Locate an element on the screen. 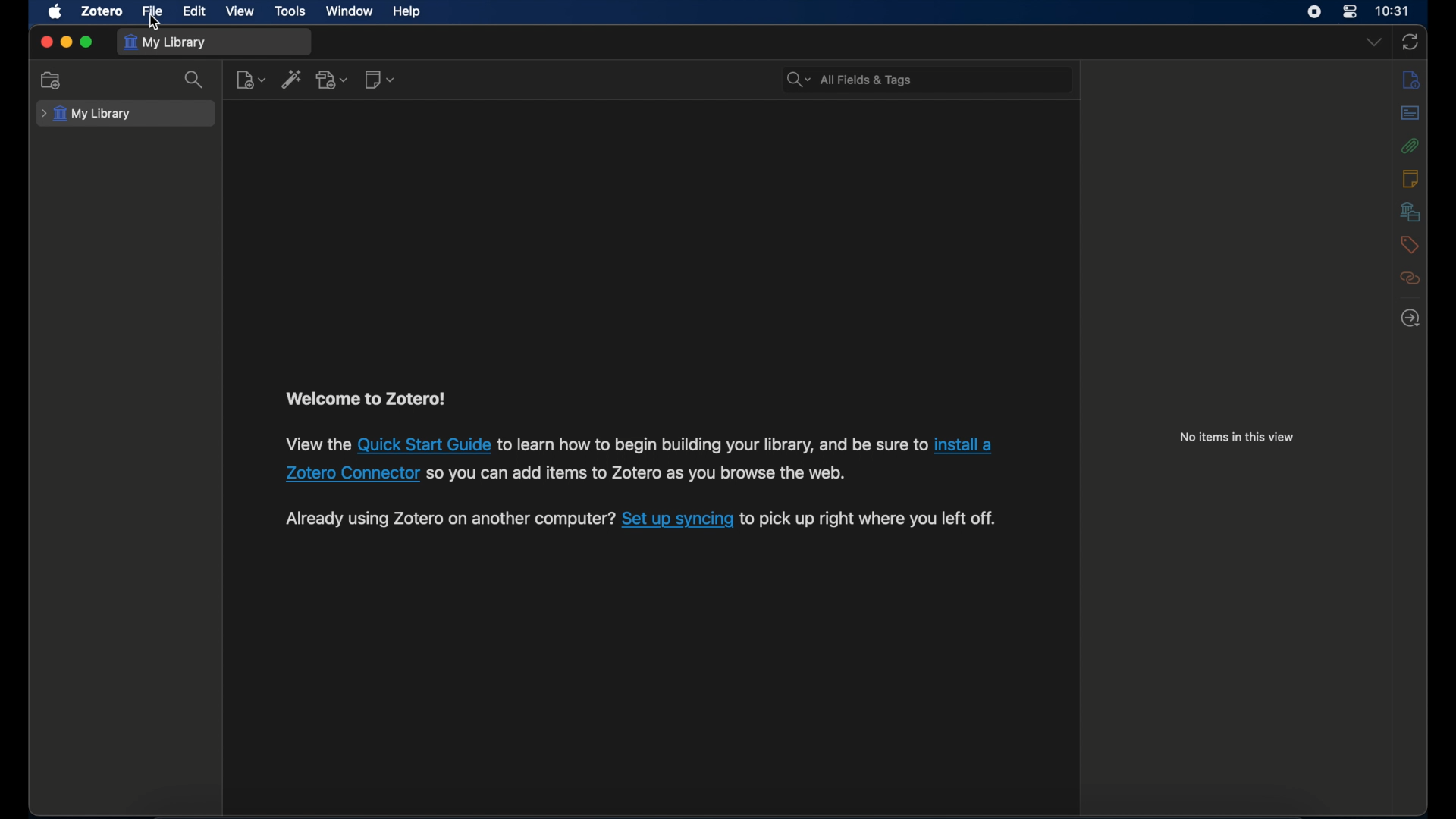 Image resolution: width=1456 pixels, height=819 pixels. file is located at coordinates (152, 12).